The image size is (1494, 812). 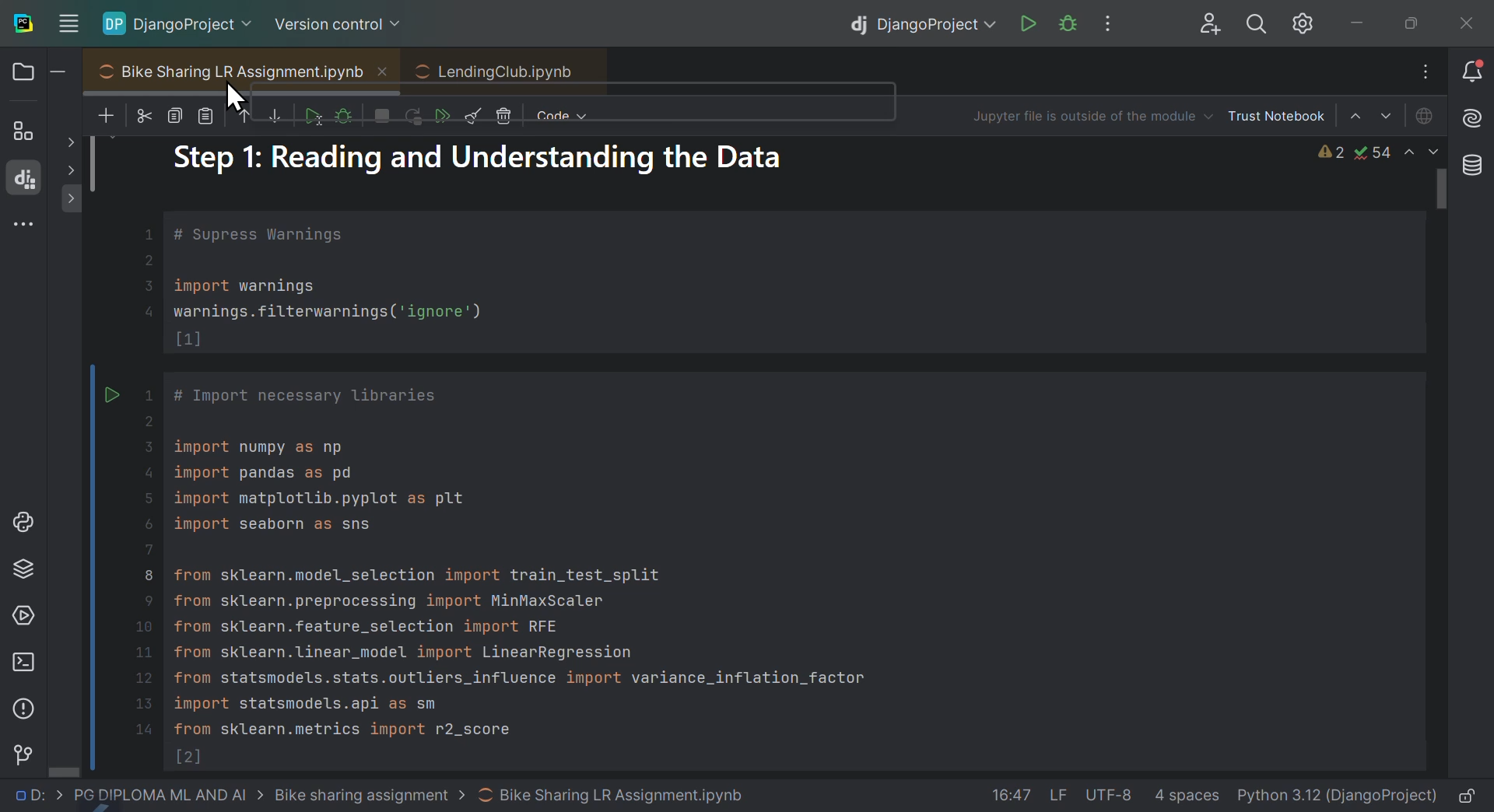 I want to click on Run Kernel, so click(x=413, y=114).